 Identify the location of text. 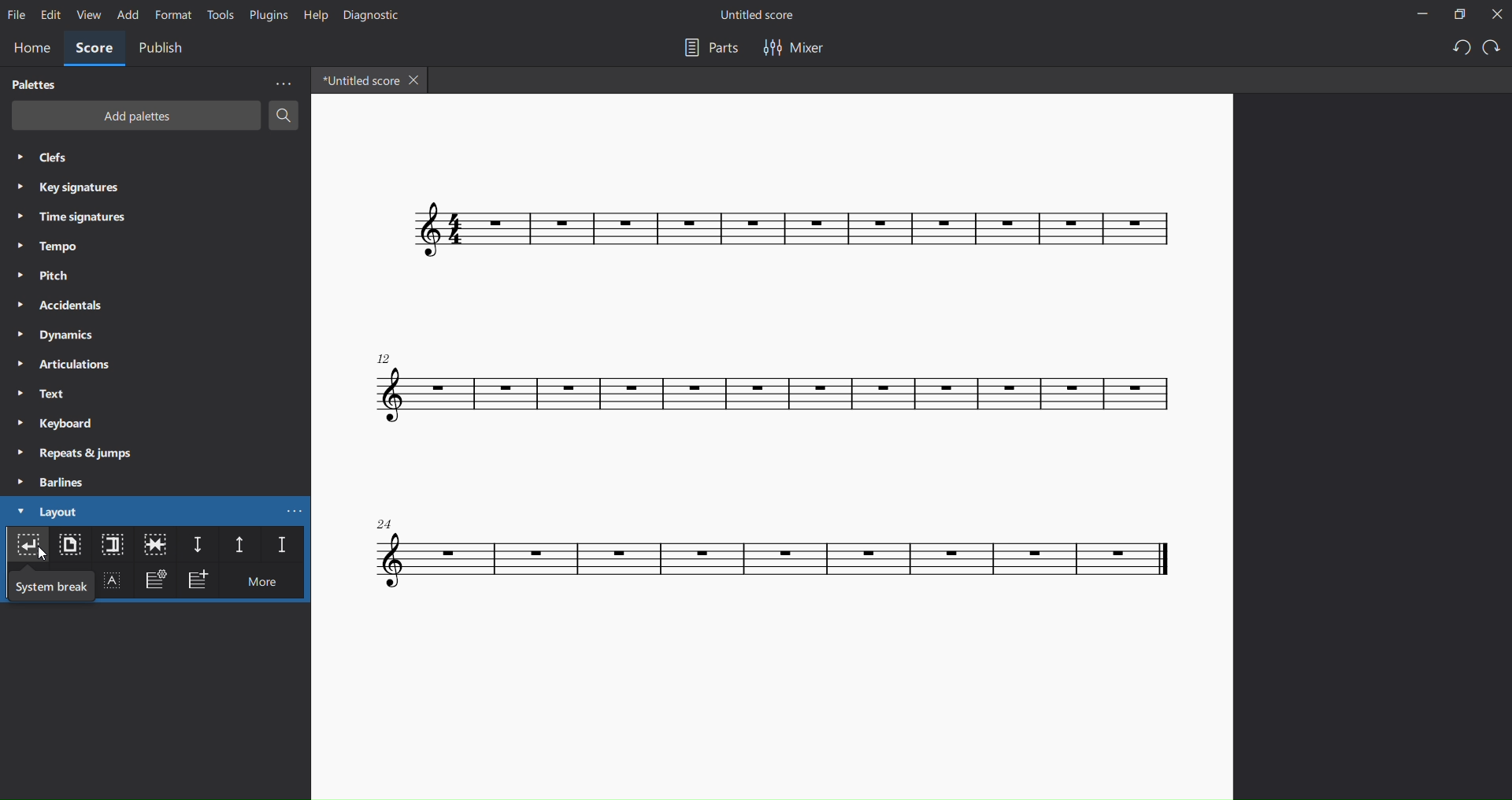
(40, 394).